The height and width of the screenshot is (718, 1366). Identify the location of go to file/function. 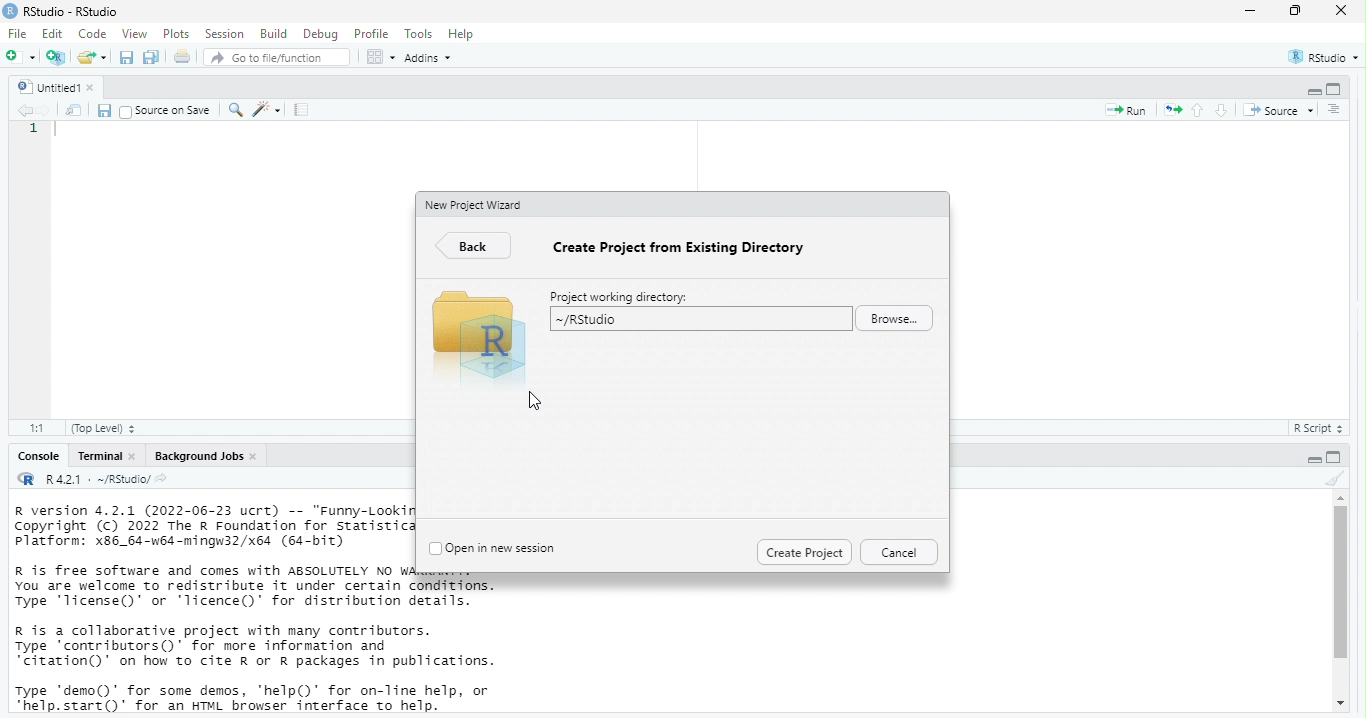
(274, 57).